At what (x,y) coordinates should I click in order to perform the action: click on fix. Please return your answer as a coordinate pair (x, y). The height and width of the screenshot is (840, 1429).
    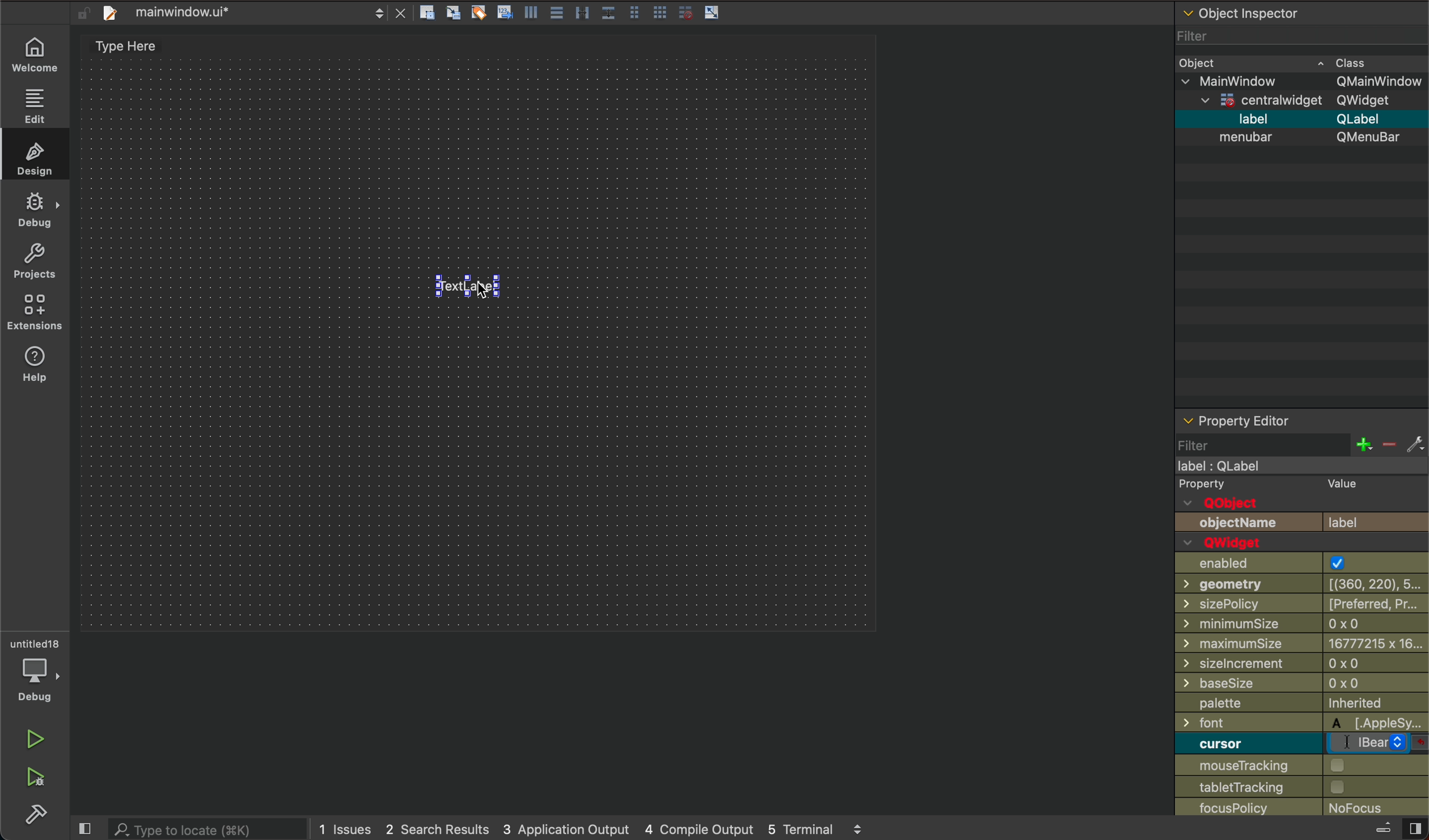
    Looking at the image, I should click on (1418, 444).